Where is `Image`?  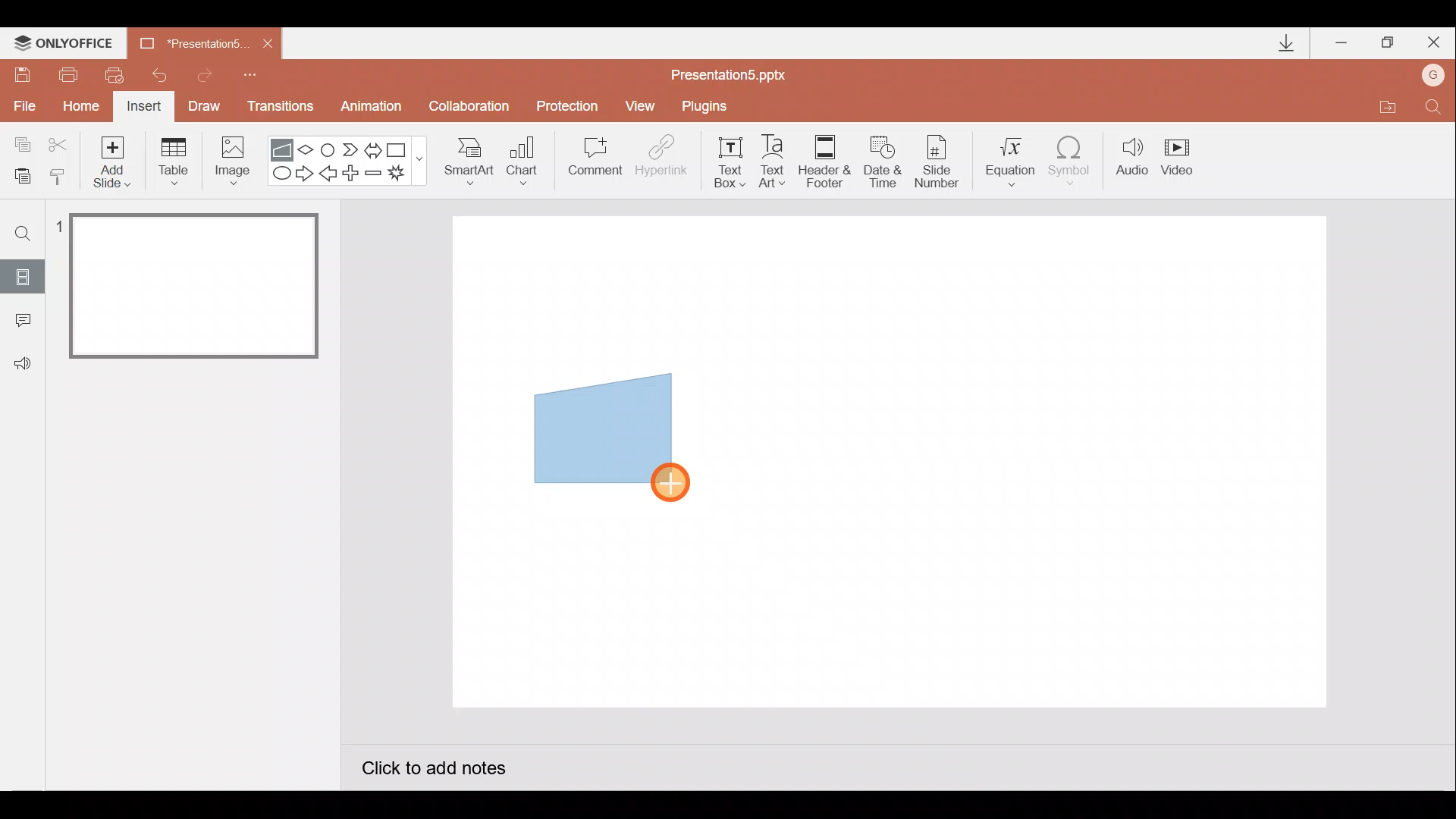 Image is located at coordinates (228, 160).